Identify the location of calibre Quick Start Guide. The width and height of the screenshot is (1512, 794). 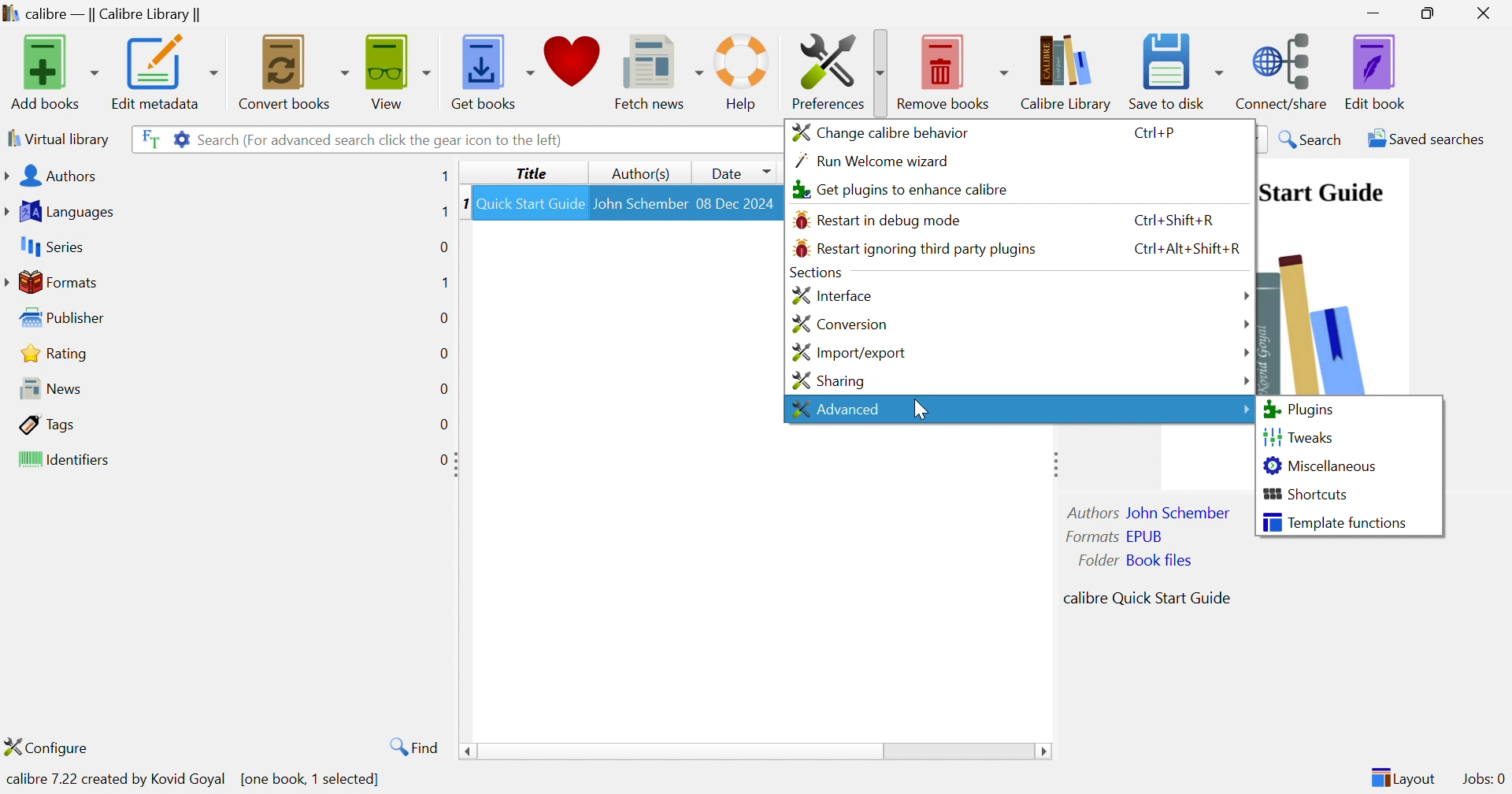
(1147, 596).